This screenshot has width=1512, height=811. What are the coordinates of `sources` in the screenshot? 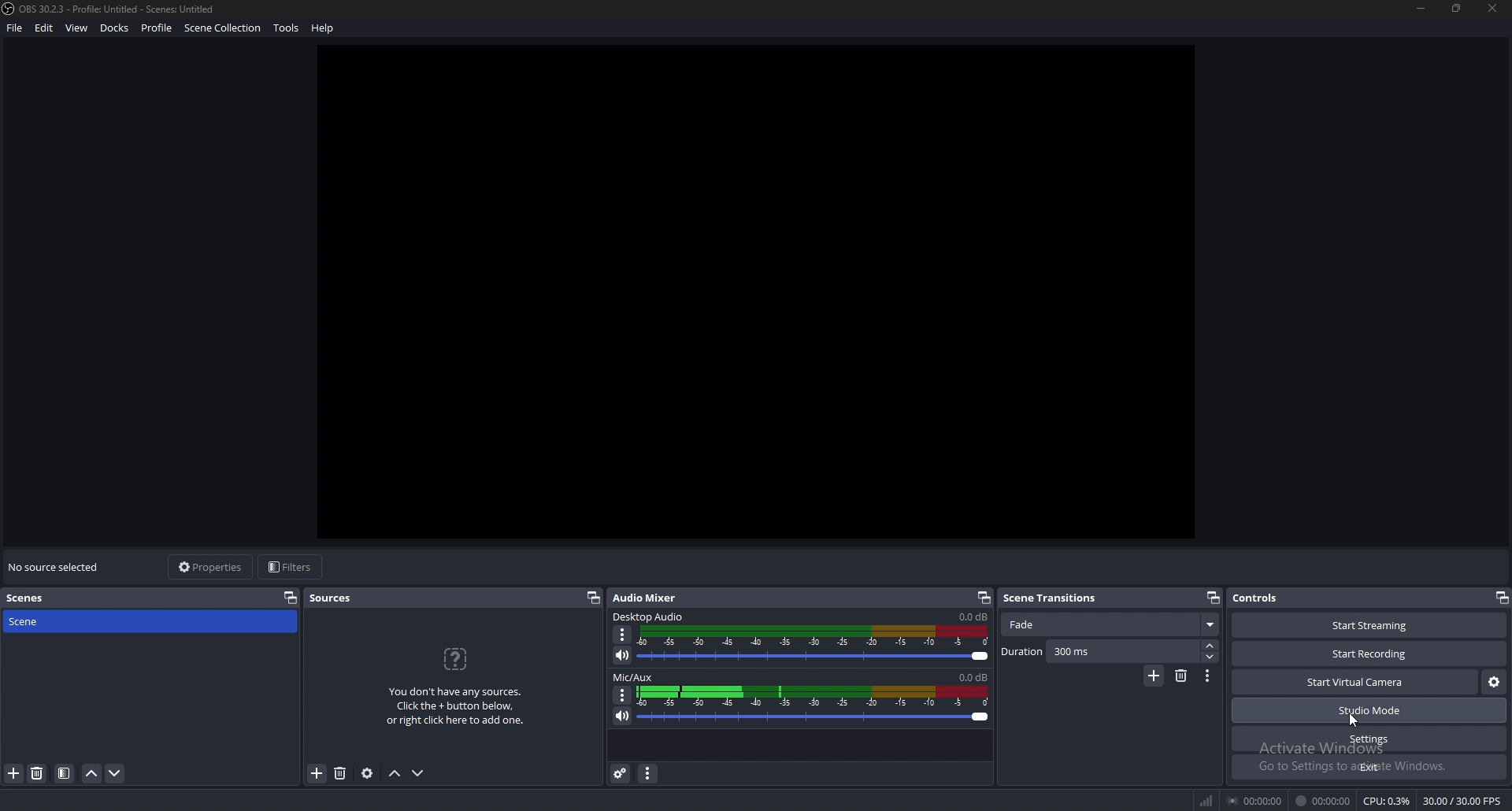 It's located at (332, 598).